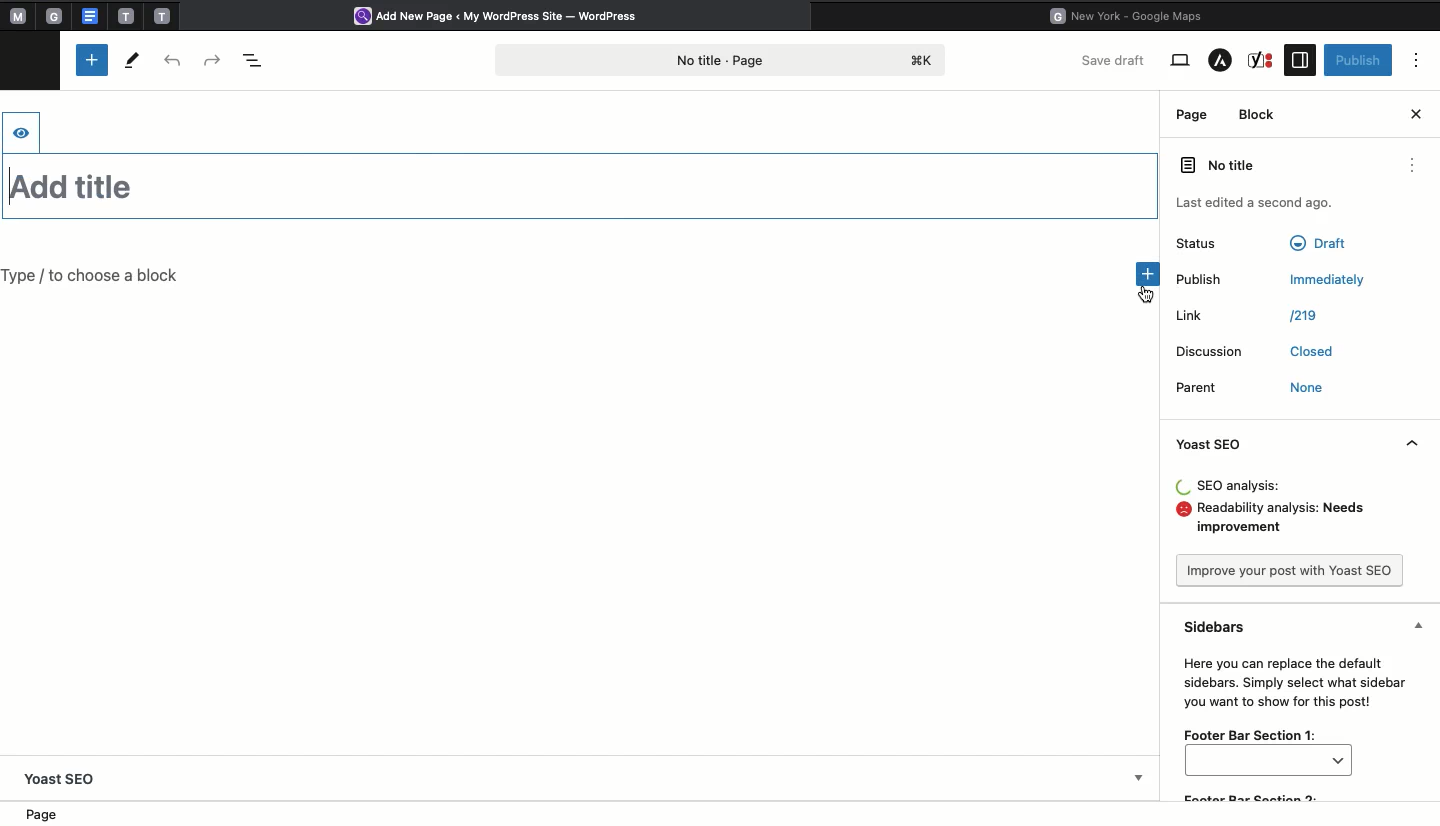 This screenshot has height=826, width=1440. What do you see at coordinates (1220, 62) in the screenshot?
I see `Astra` at bounding box center [1220, 62].